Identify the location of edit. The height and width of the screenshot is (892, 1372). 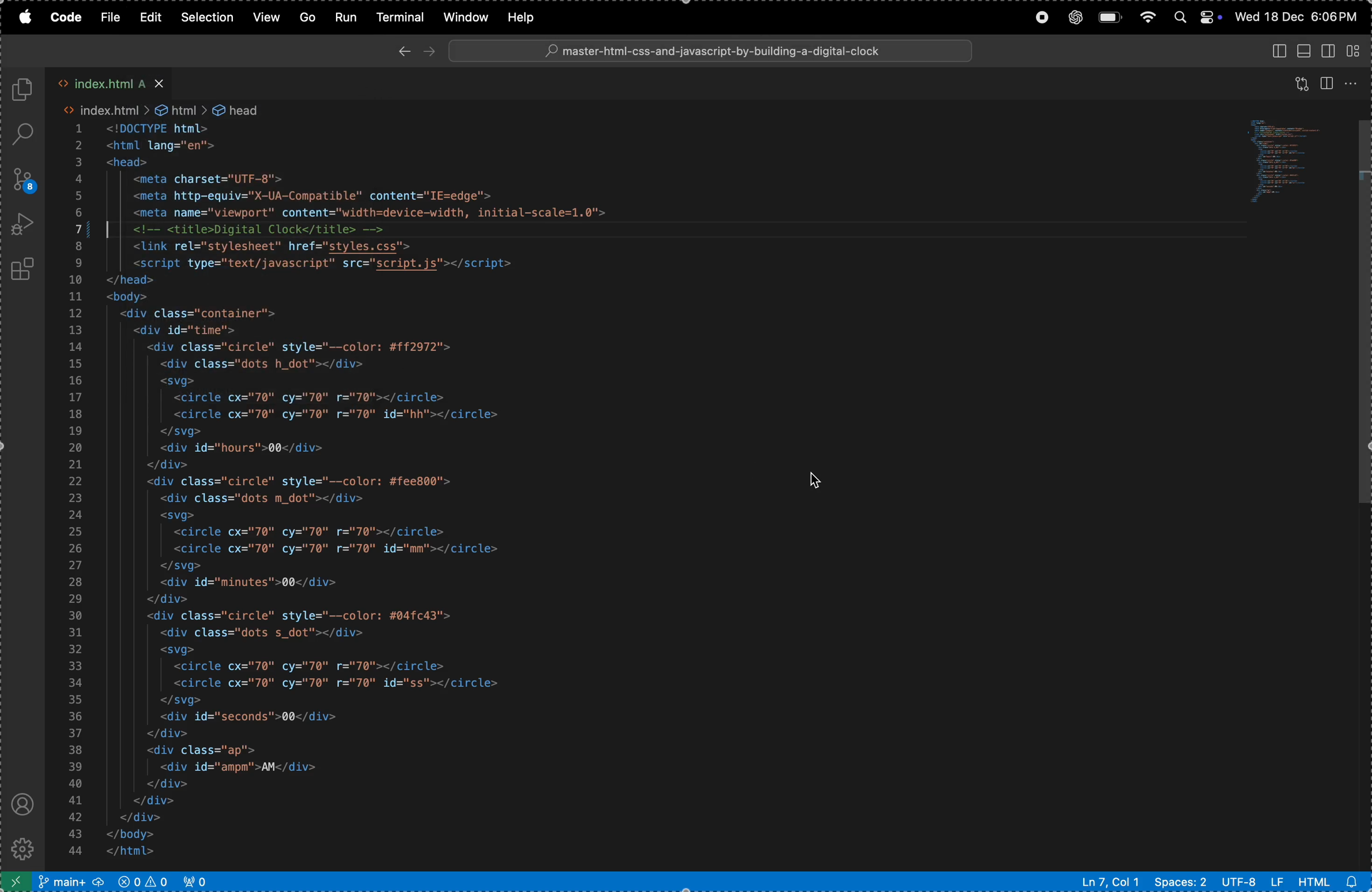
(152, 17).